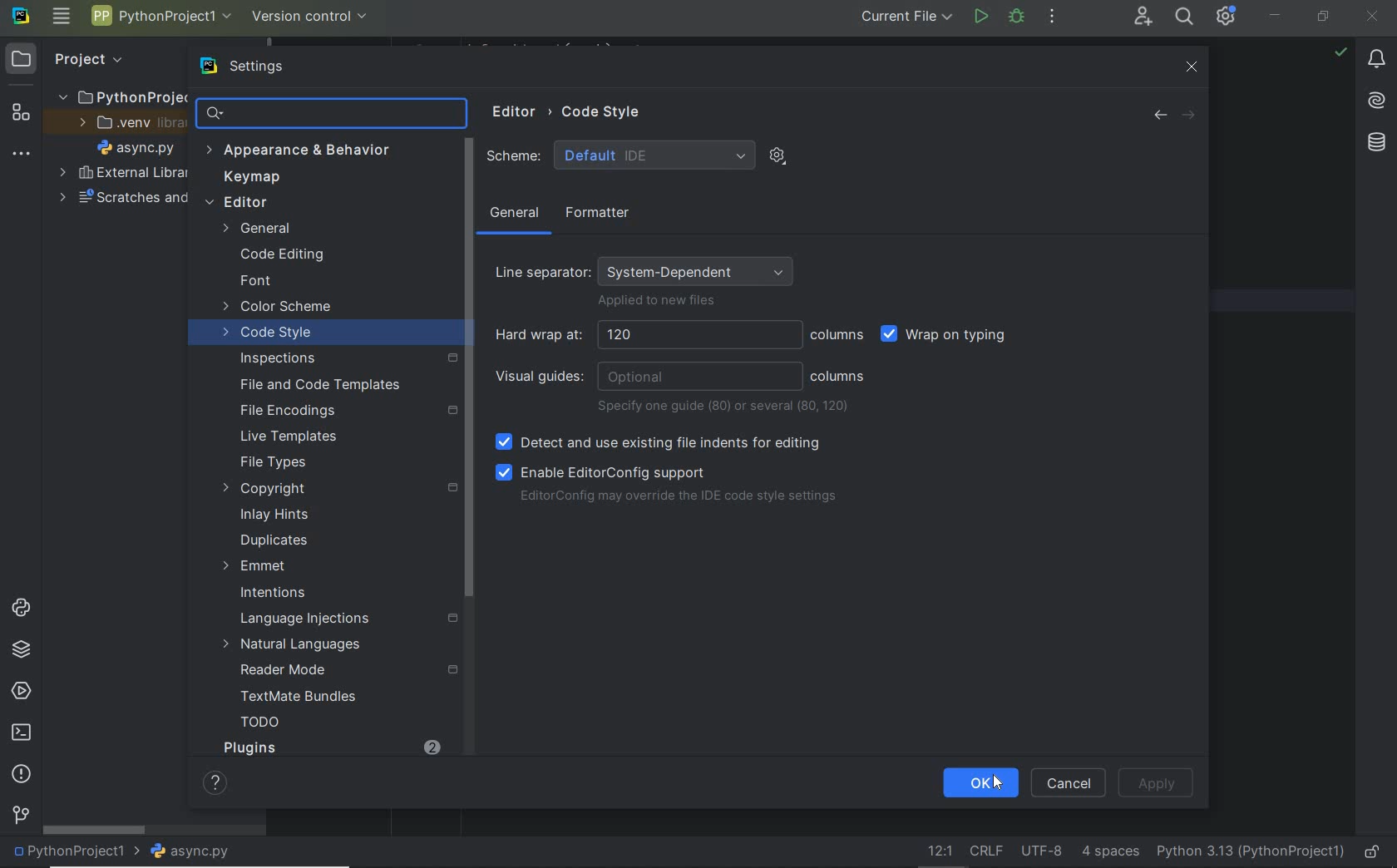  I want to click on Formatter, so click(595, 214).